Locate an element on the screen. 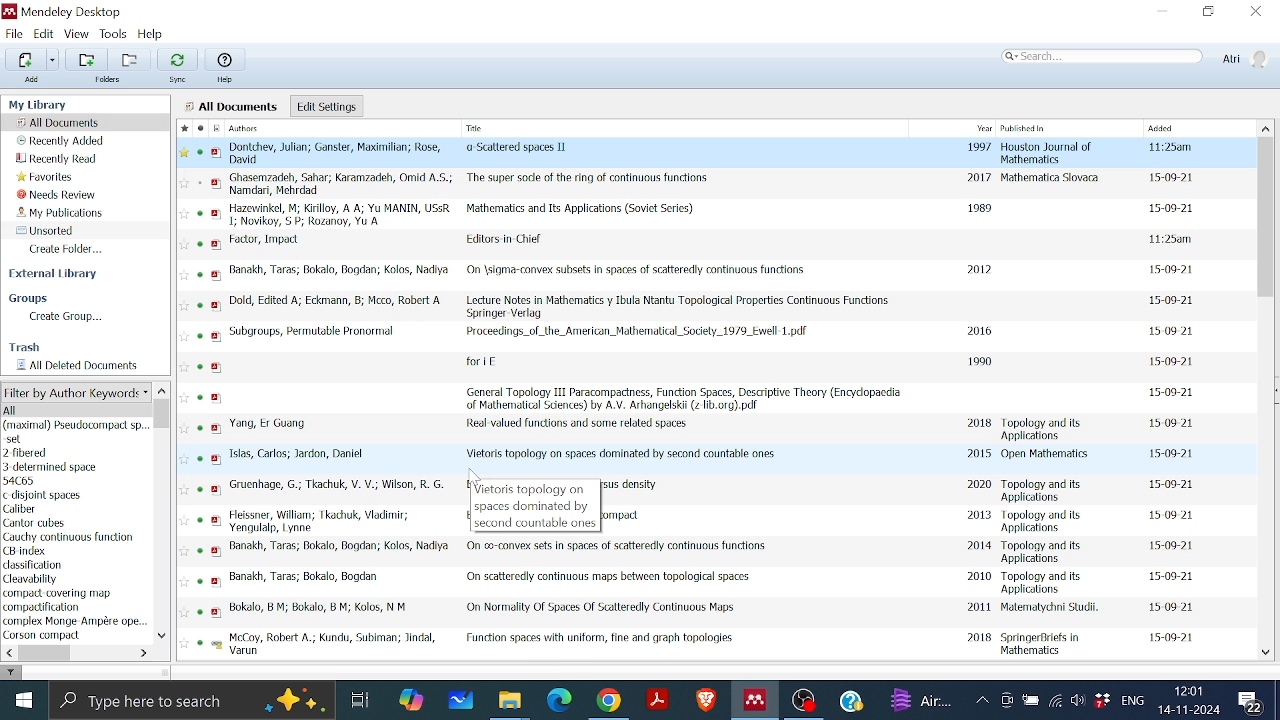 This screenshot has width=1280, height=720. Favourite is located at coordinates (186, 367).